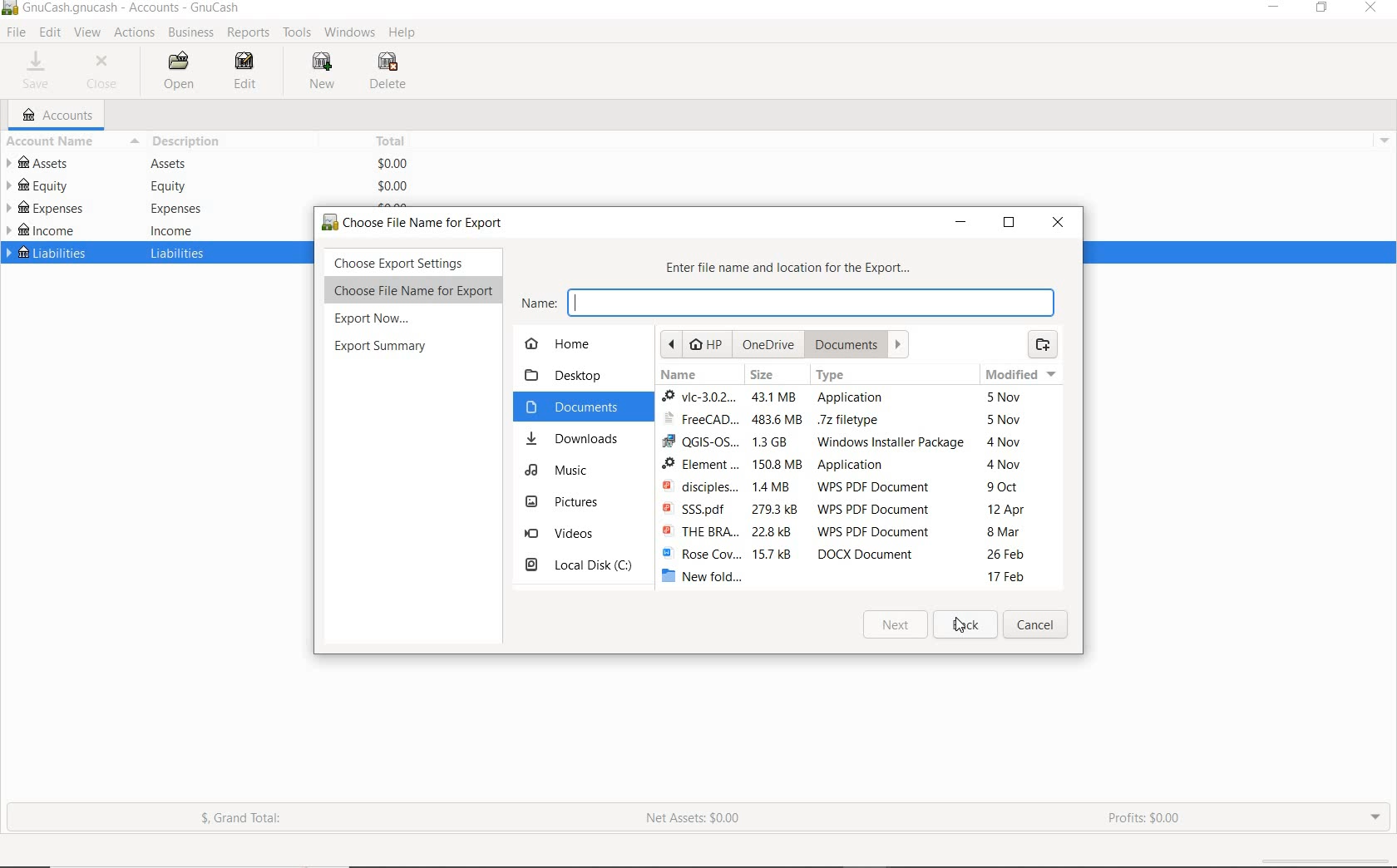 This screenshot has width=1397, height=868. I want to click on local disk c, so click(580, 565).